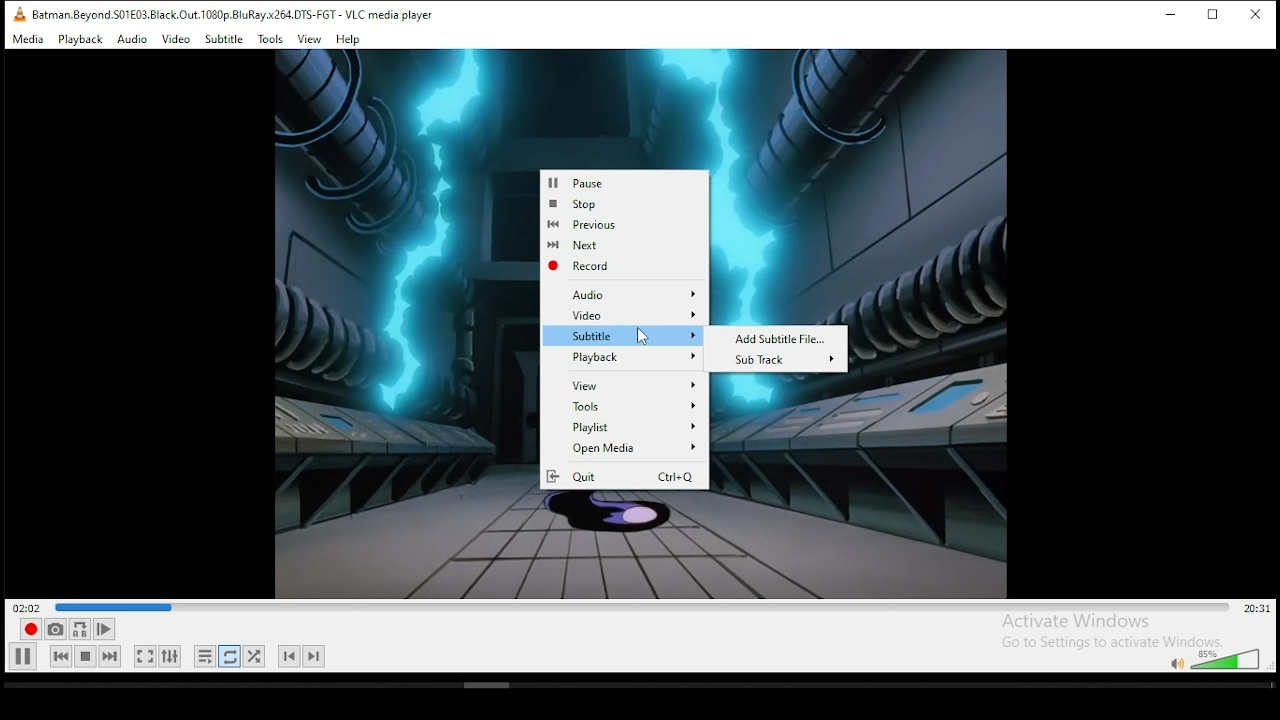 The height and width of the screenshot is (720, 1280). Describe the element at coordinates (55, 630) in the screenshot. I see `take a snapshot` at that location.